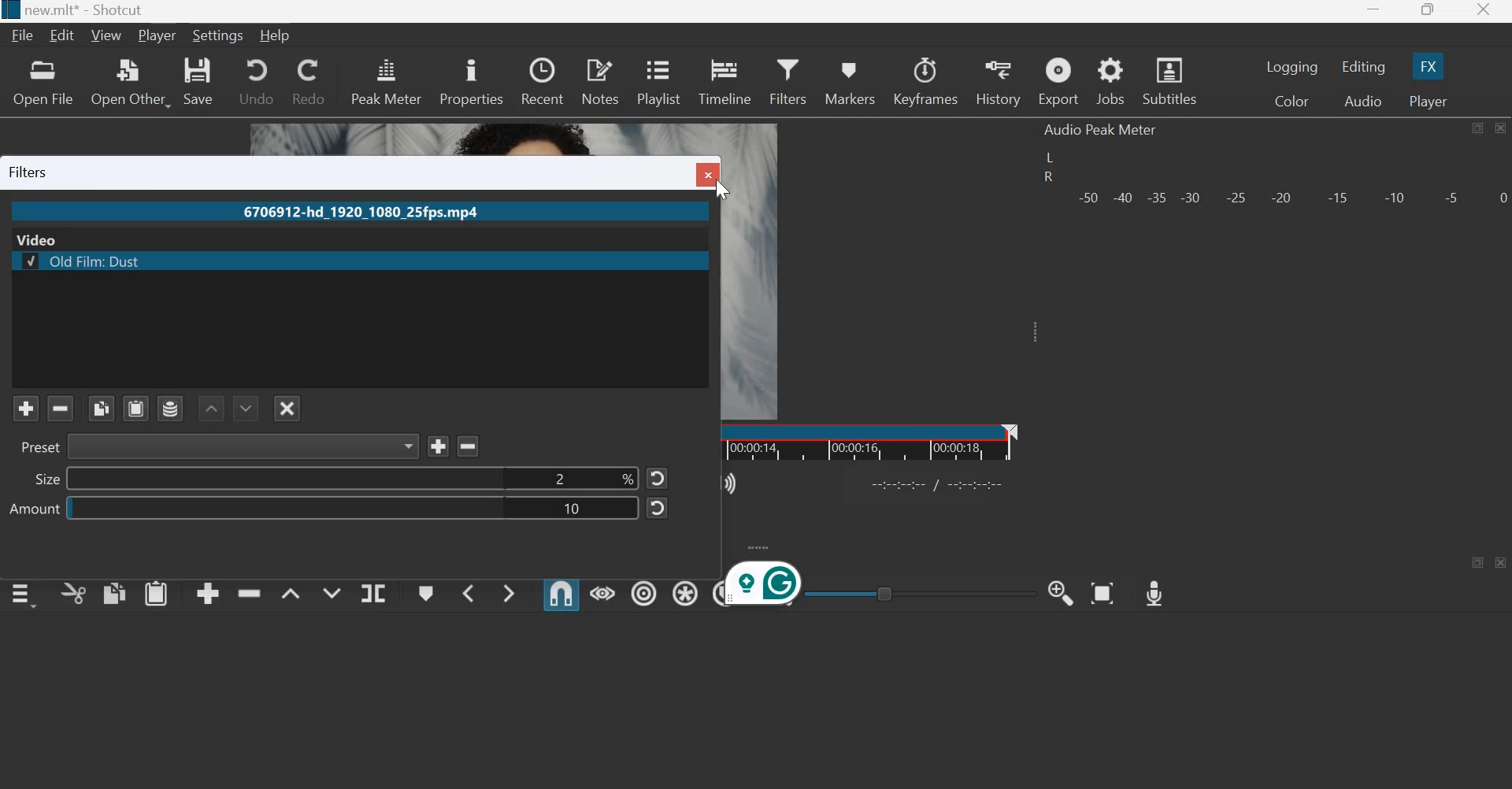 This screenshot has width=1512, height=789. What do you see at coordinates (102, 407) in the screenshot?
I see `copy checked filters` at bounding box center [102, 407].